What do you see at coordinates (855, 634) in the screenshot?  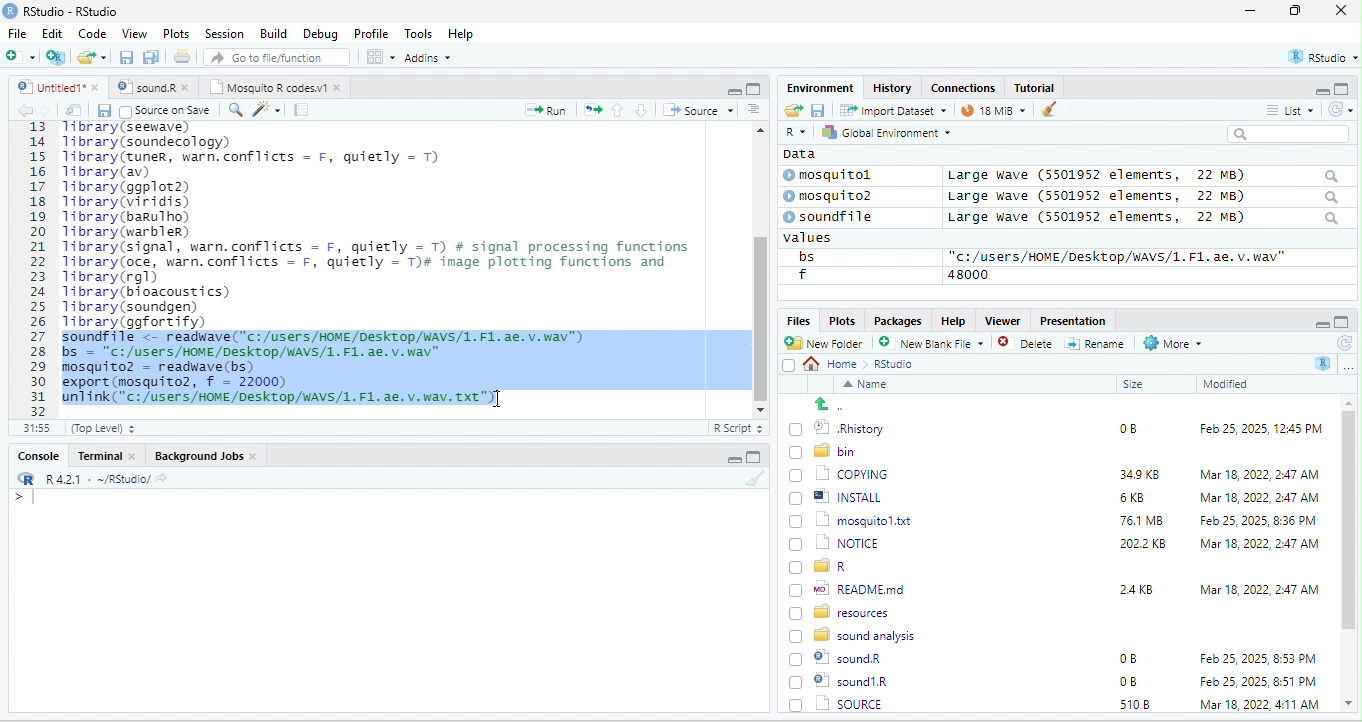 I see `8 sound analysis` at bounding box center [855, 634].